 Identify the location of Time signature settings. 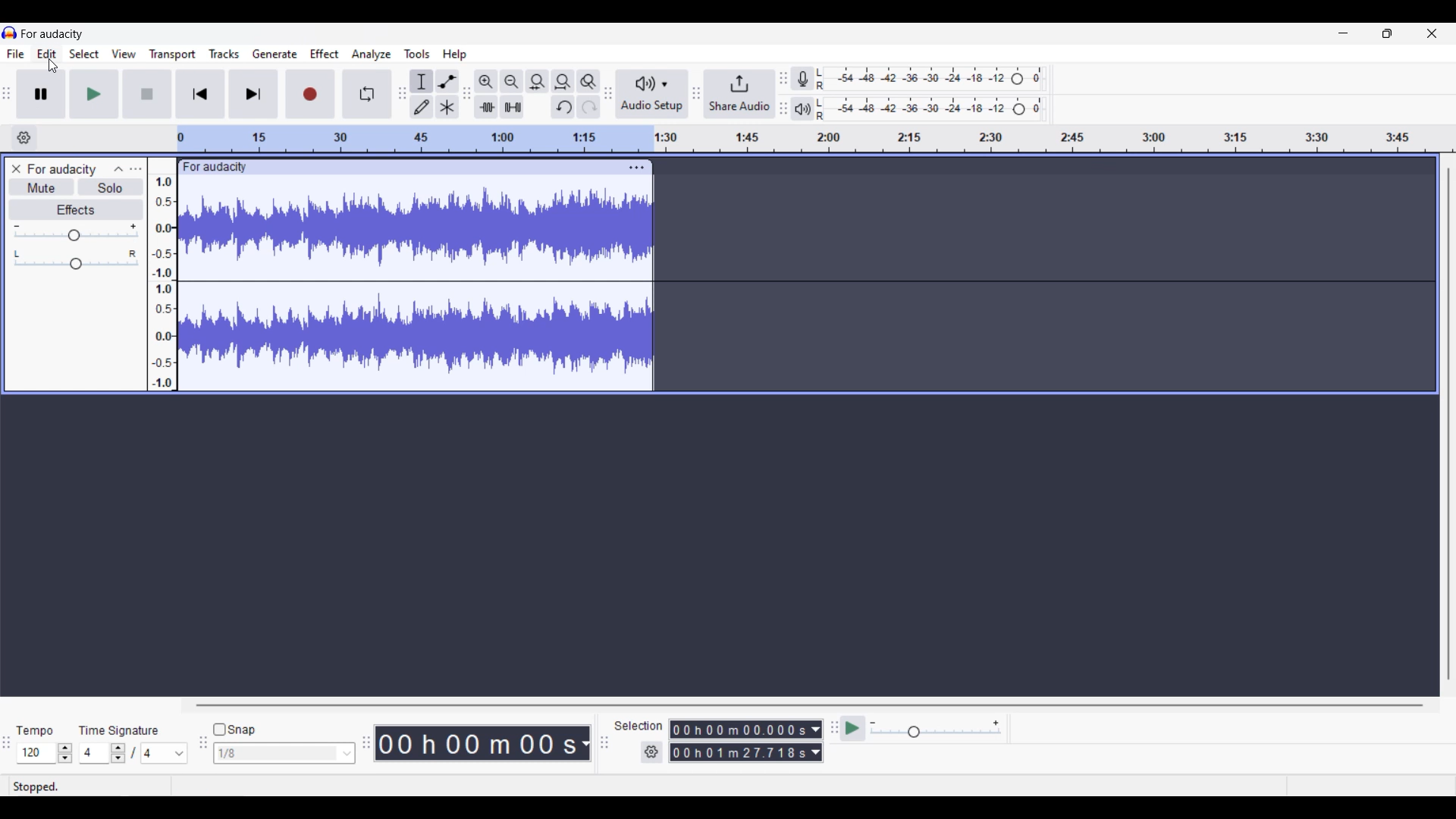
(133, 753).